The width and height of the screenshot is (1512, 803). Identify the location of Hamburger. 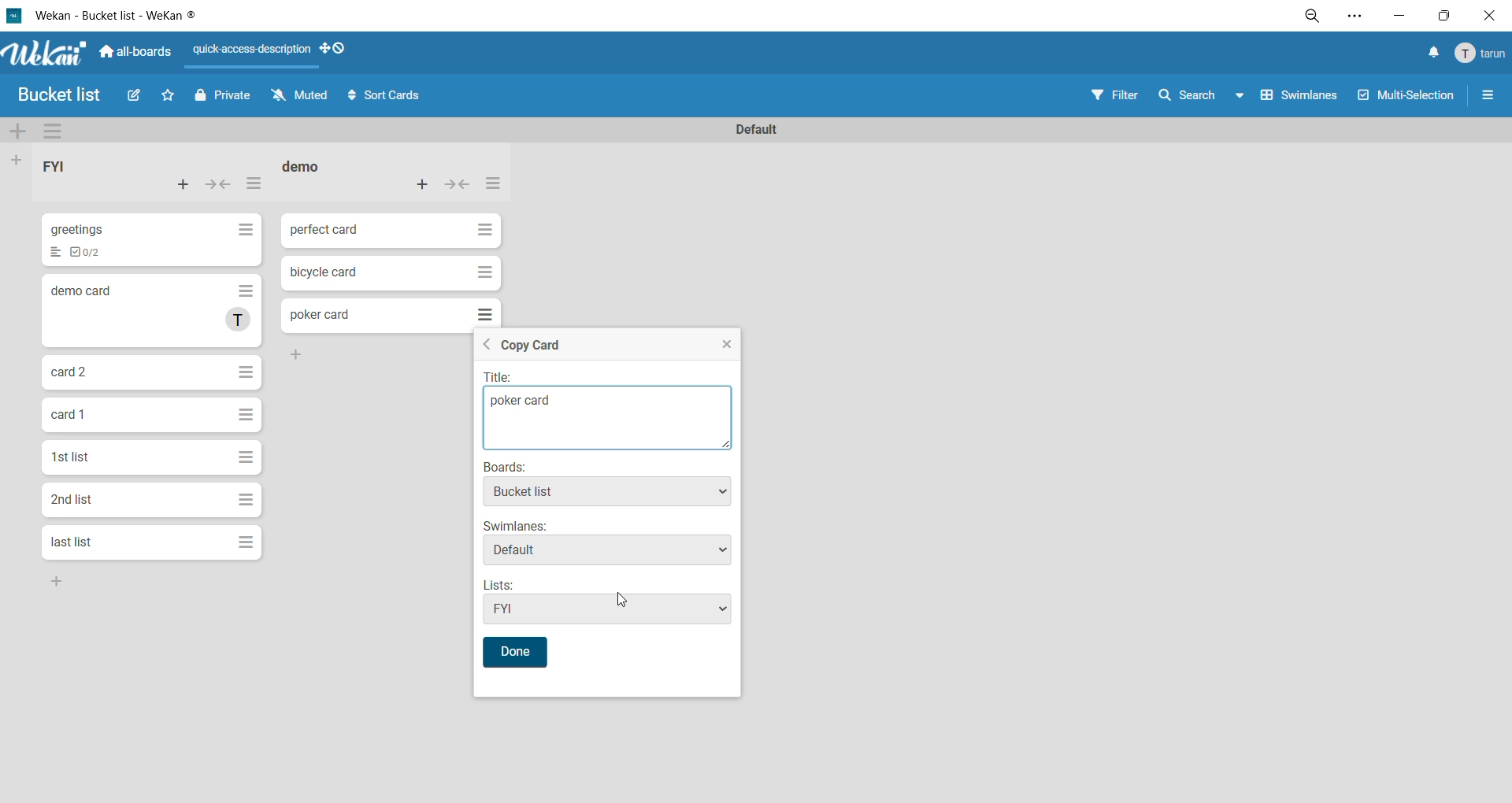
(249, 288).